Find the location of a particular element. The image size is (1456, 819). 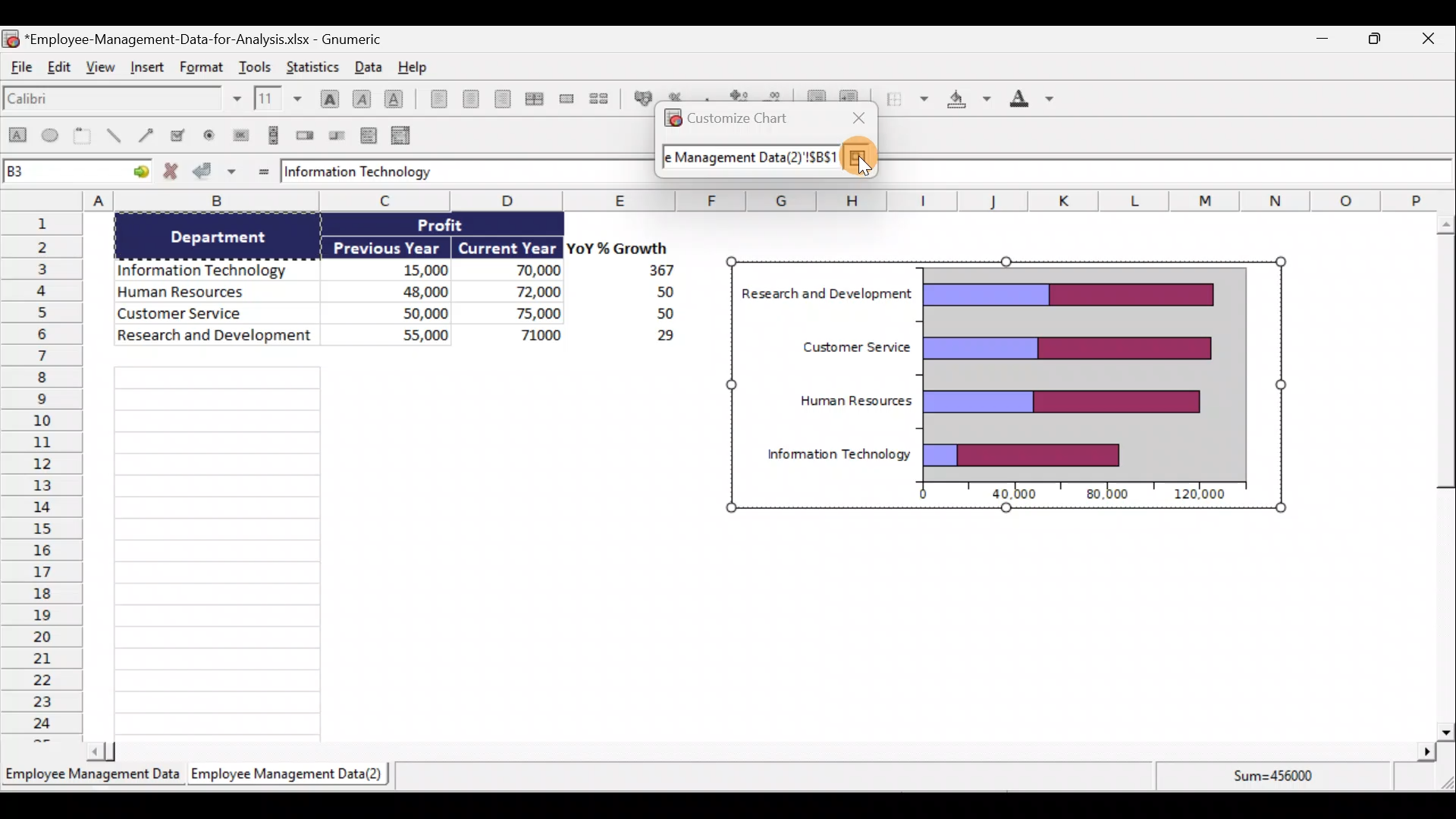

Create a combo box is located at coordinates (403, 134).